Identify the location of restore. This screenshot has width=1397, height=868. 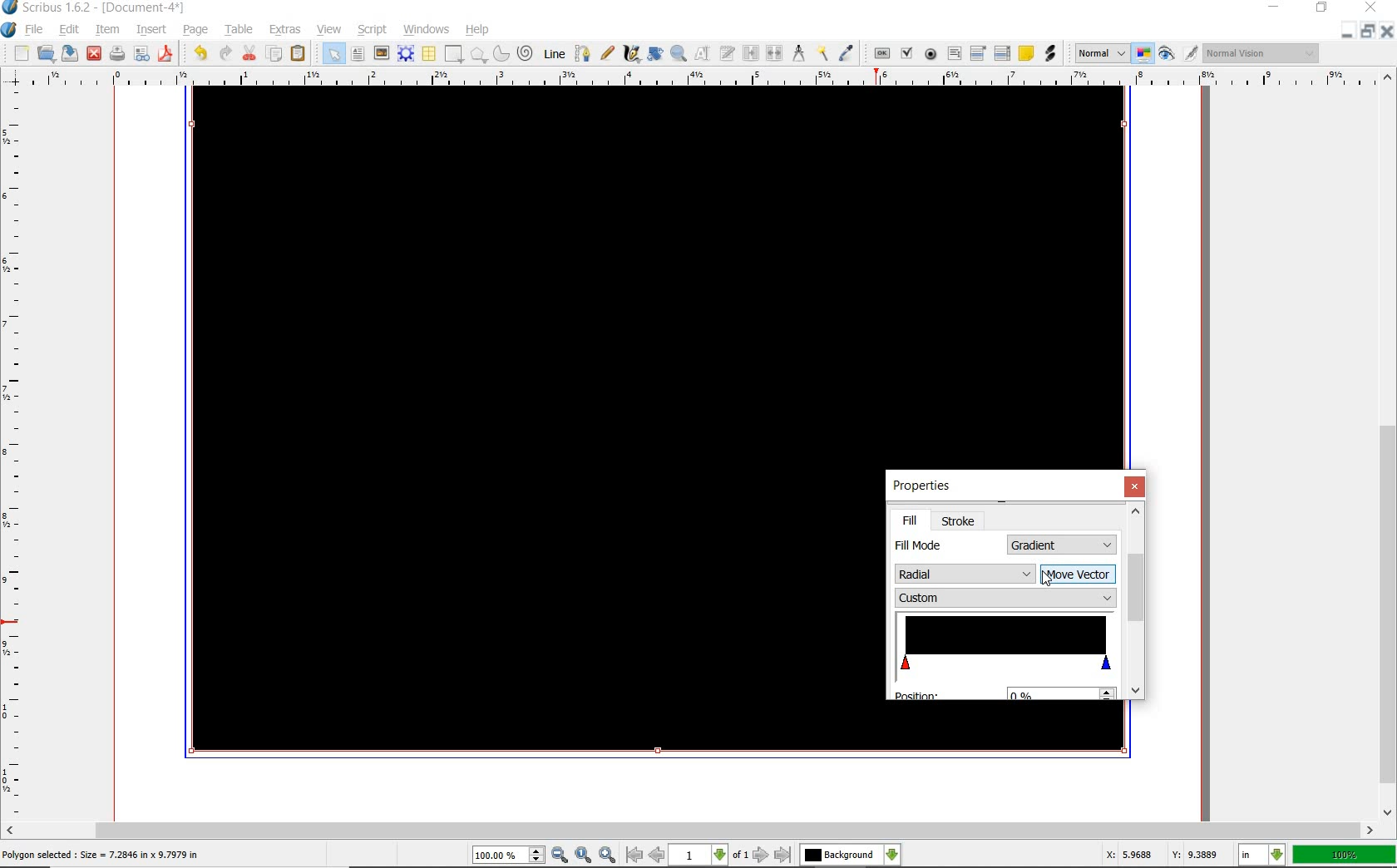
(1321, 9).